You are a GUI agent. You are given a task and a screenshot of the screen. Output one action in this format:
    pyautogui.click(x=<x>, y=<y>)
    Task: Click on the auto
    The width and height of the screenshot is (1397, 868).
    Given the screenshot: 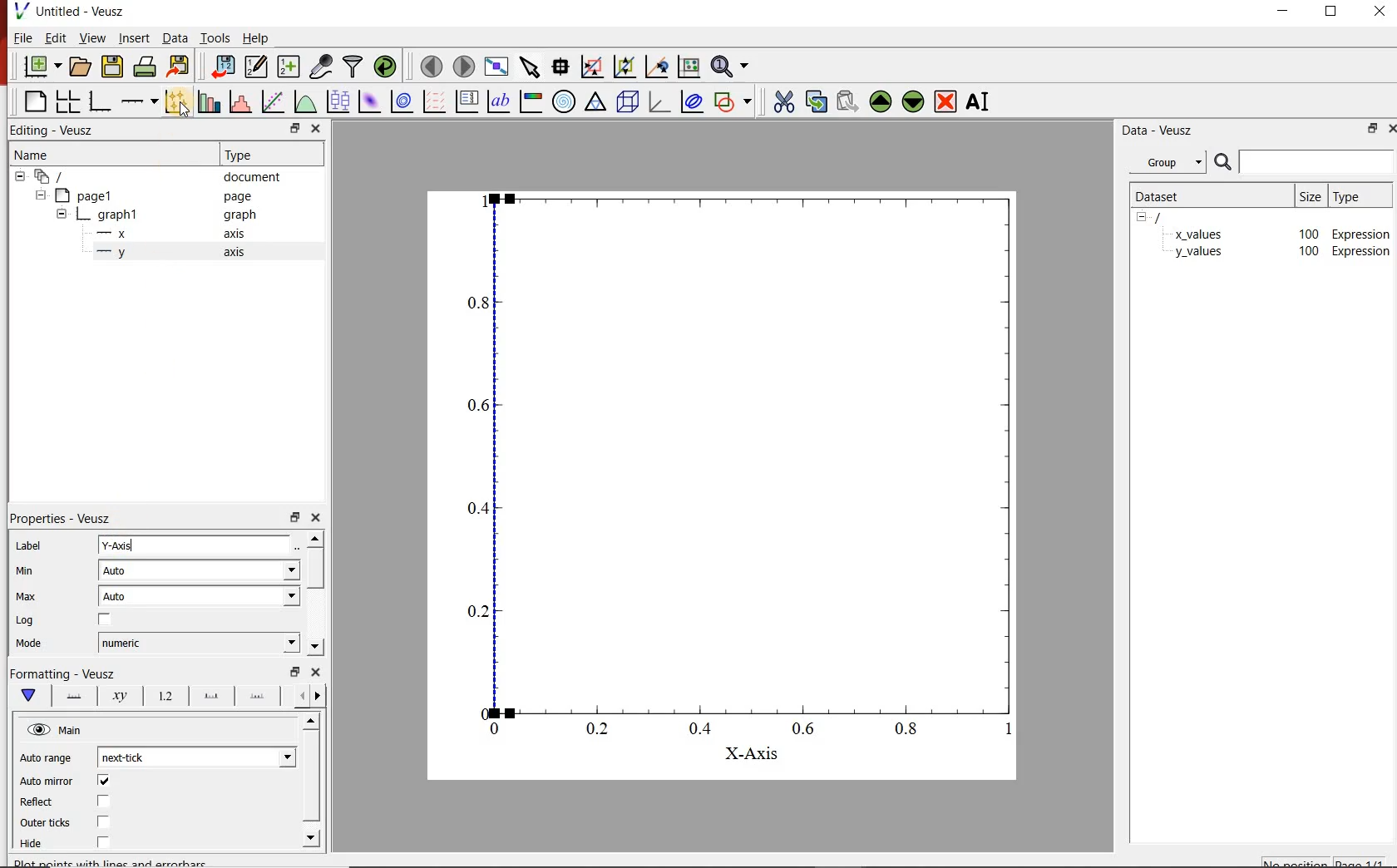 What is the action you would take?
    pyautogui.click(x=200, y=570)
    